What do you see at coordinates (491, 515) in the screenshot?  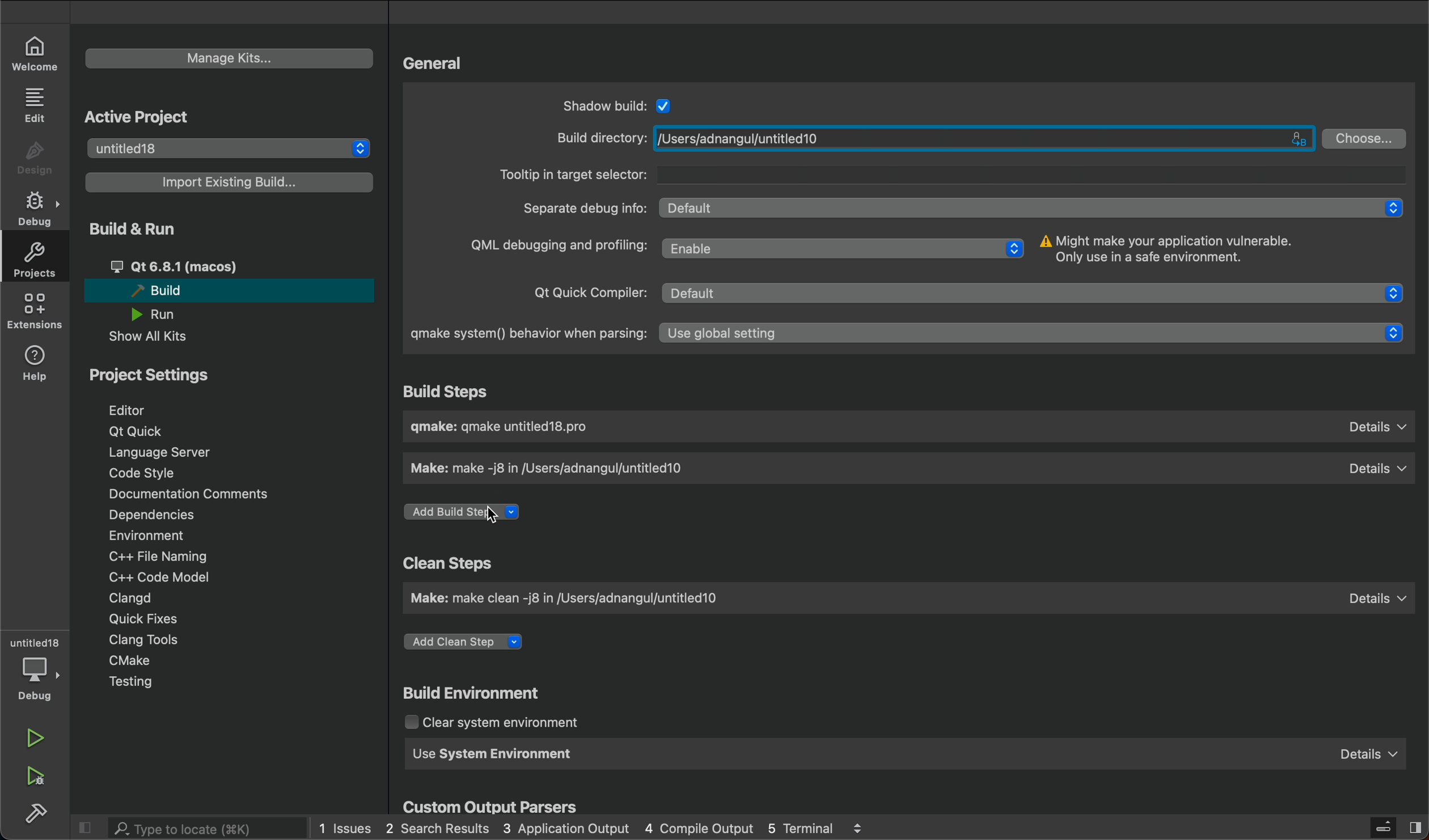 I see `Cursor` at bounding box center [491, 515].